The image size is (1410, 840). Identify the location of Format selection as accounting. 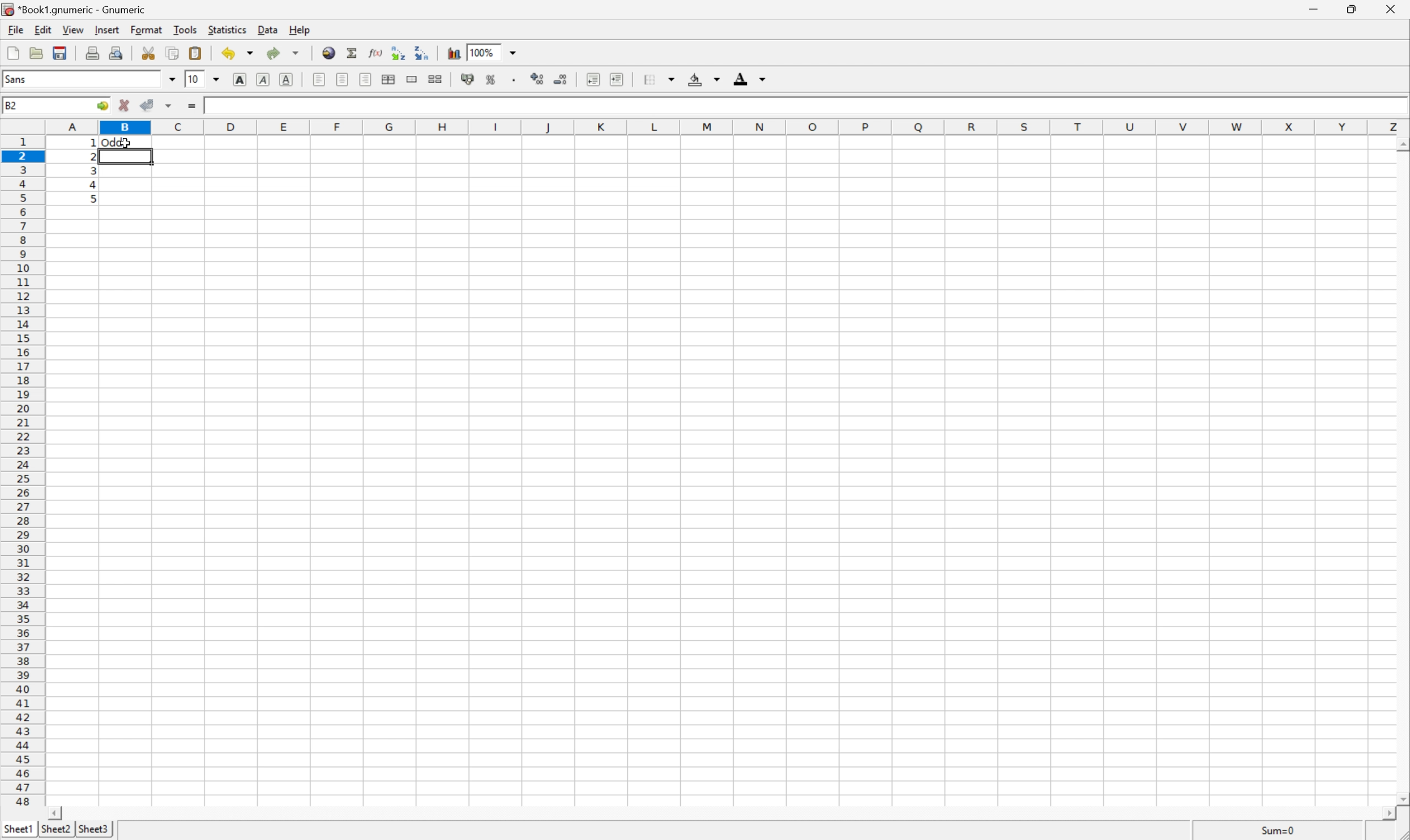
(466, 79).